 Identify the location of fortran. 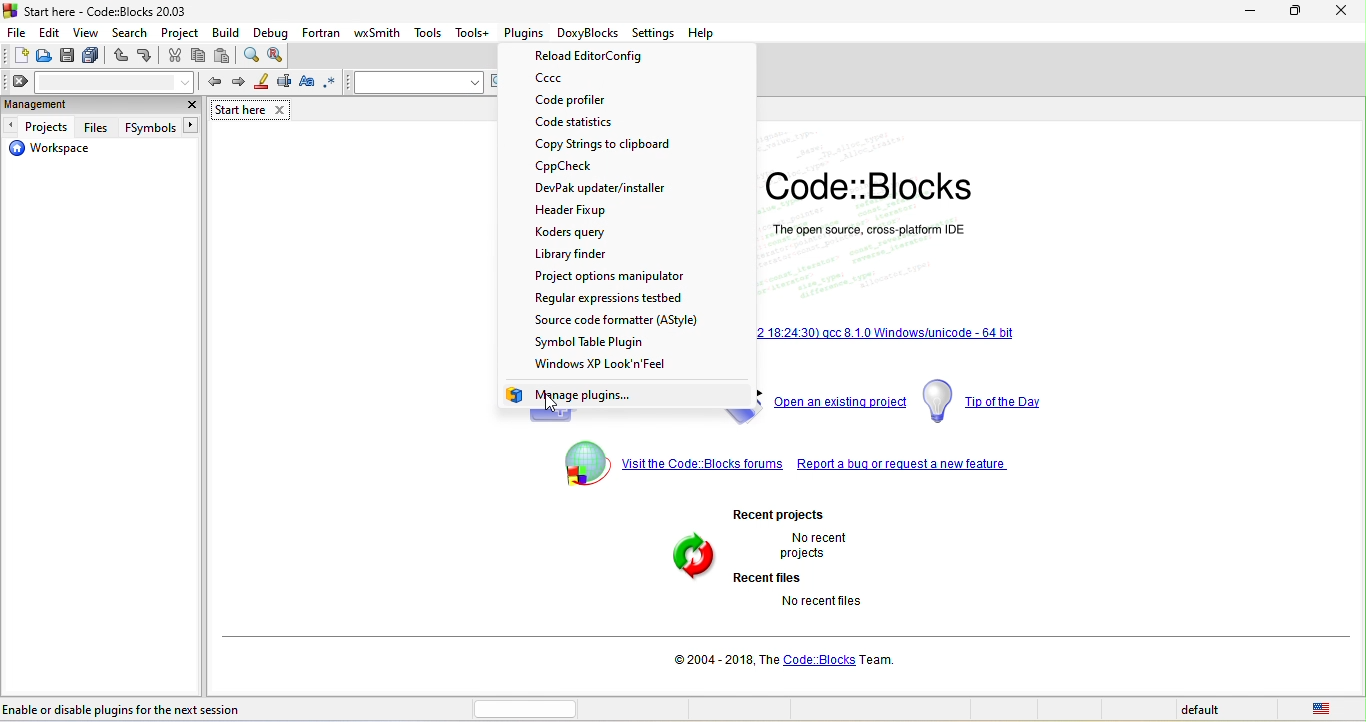
(320, 30).